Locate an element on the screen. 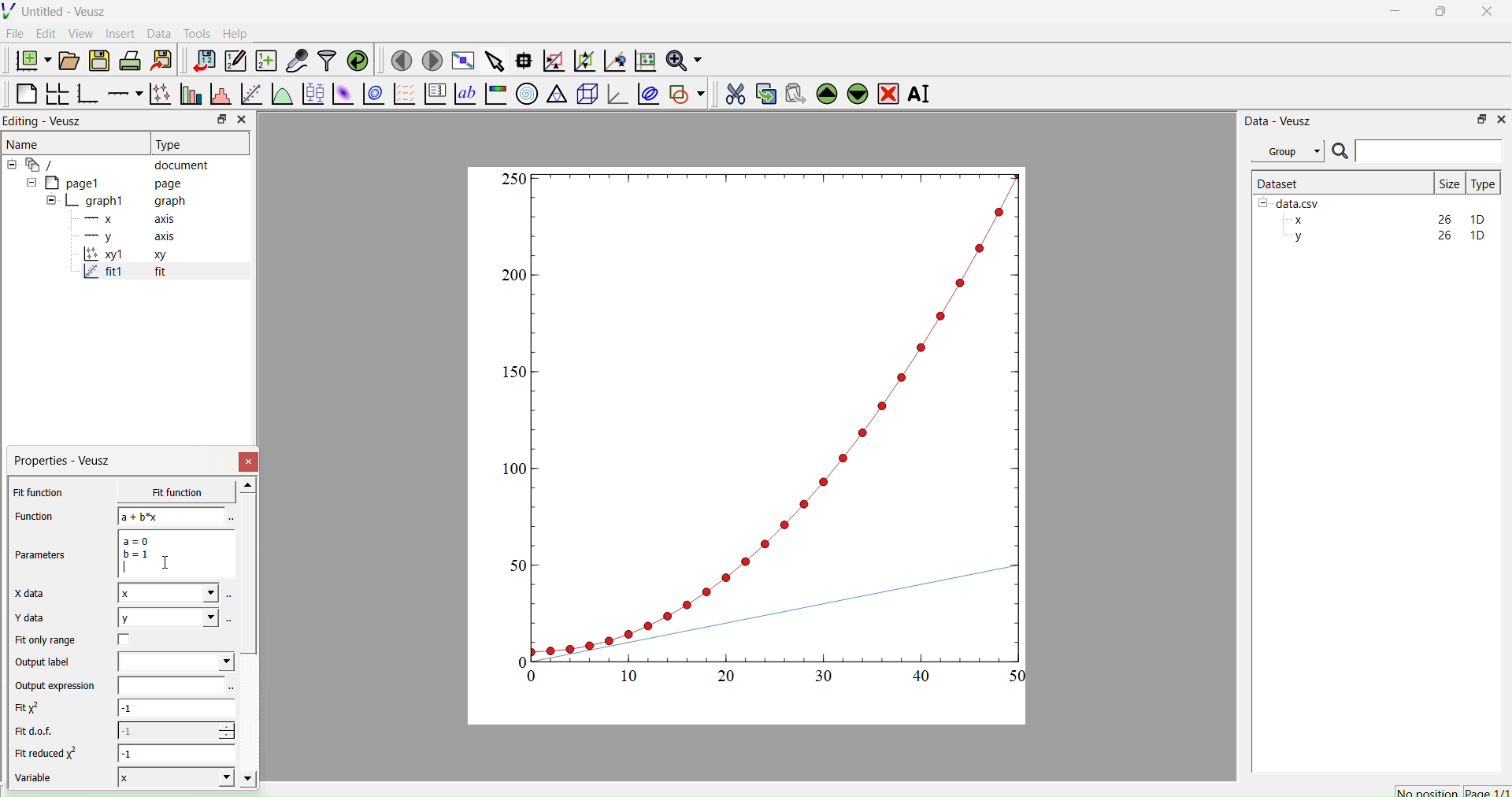 The height and width of the screenshot is (797, 1512). Remove is located at coordinates (888, 92).